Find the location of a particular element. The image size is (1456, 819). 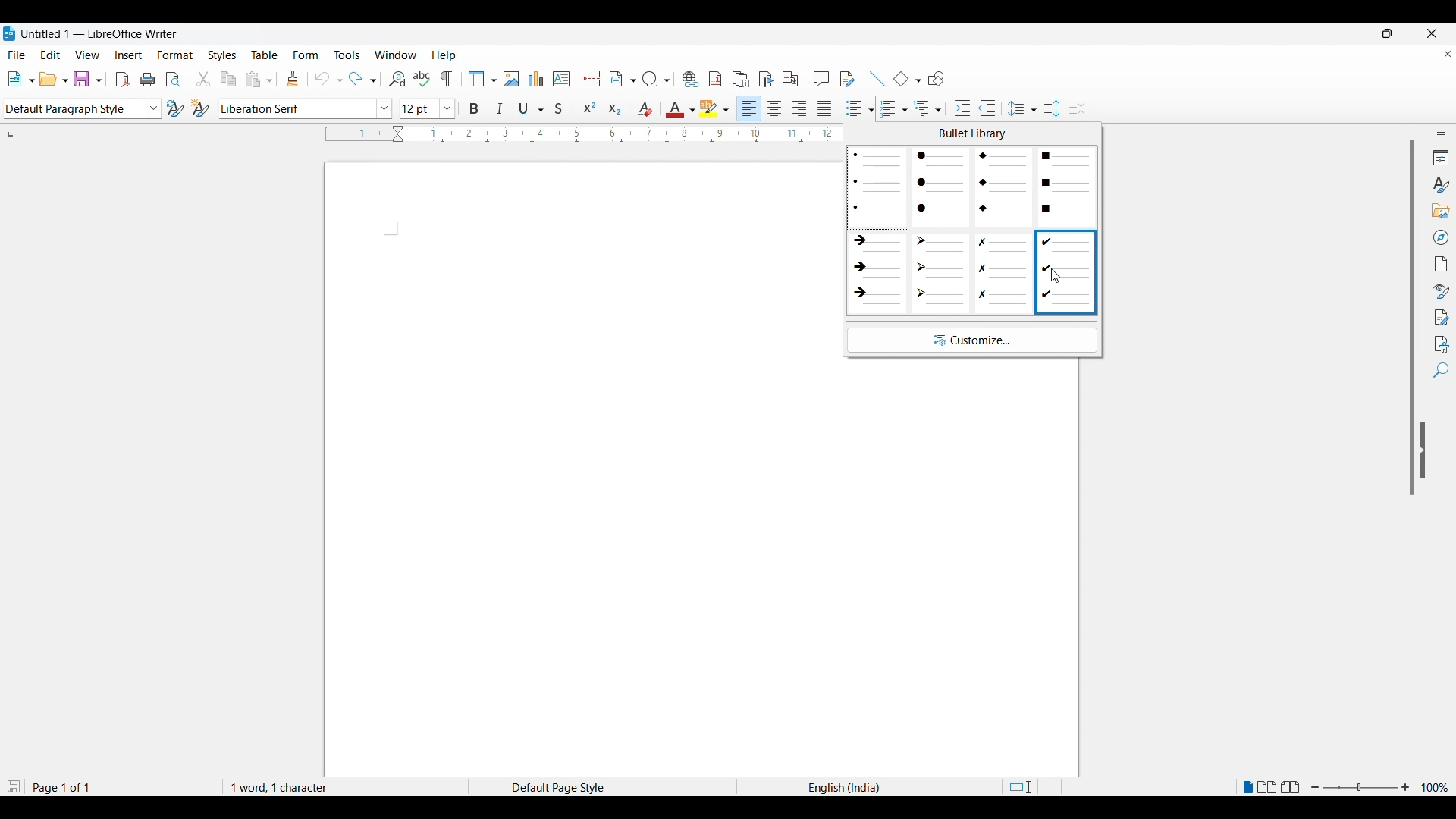

insert footnote is located at coordinates (717, 79).